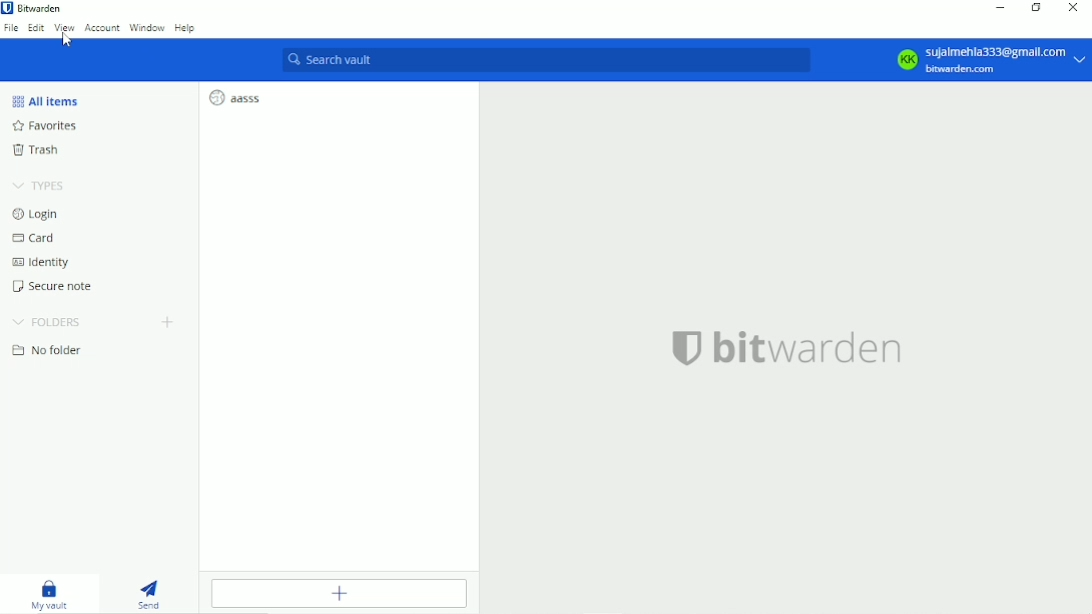  What do you see at coordinates (50, 592) in the screenshot?
I see `My vault` at bounding box center [50, 592].